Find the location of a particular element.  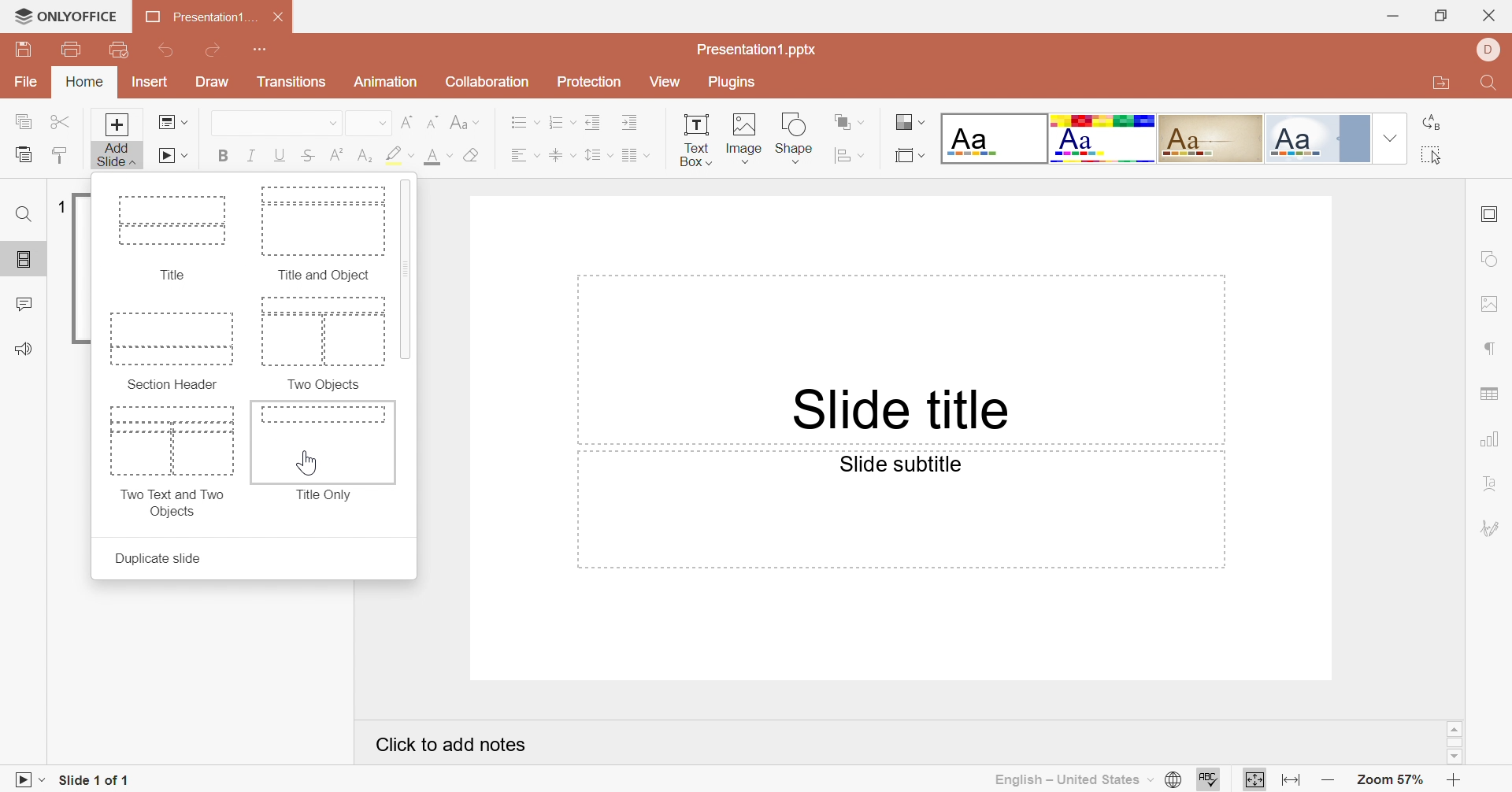

1 is located at coordinates (62, 206).